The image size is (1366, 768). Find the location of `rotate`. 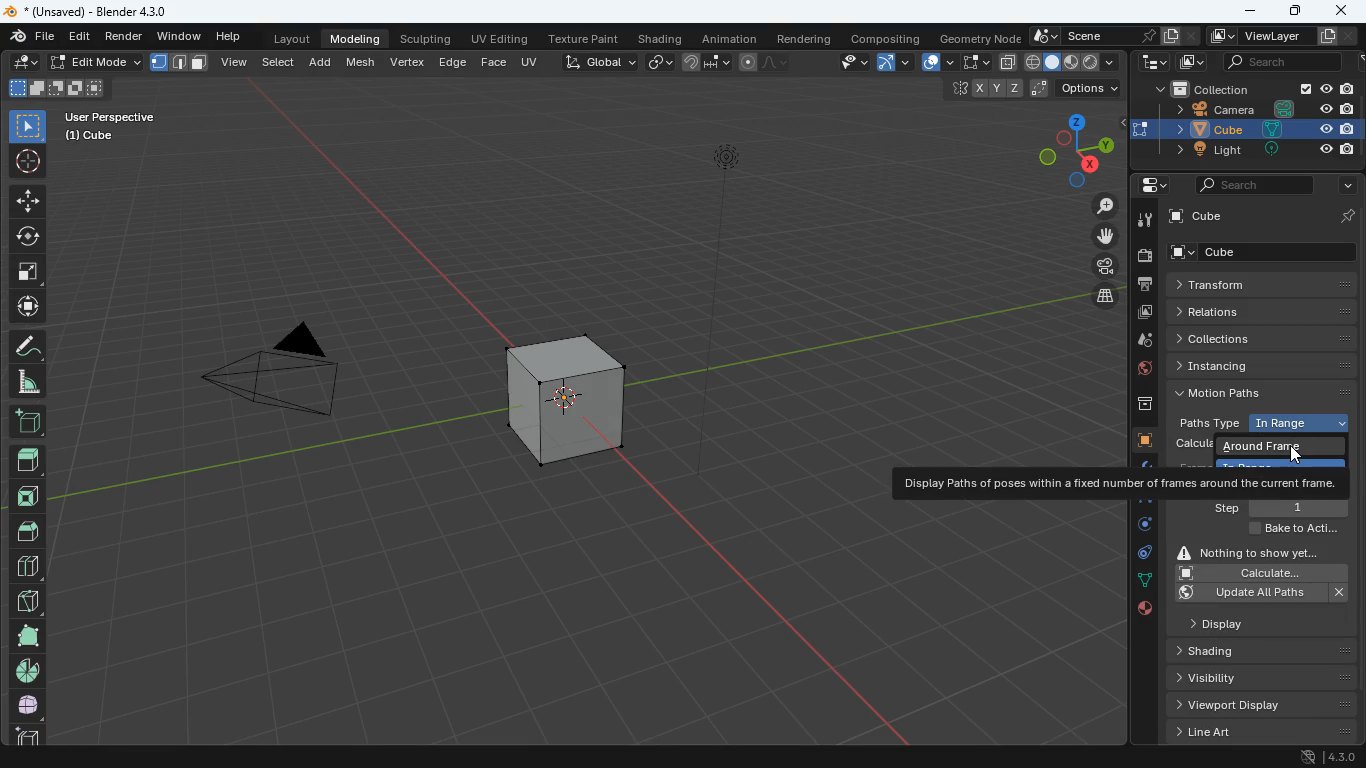

rotate is located at coordinates (1138, 529).